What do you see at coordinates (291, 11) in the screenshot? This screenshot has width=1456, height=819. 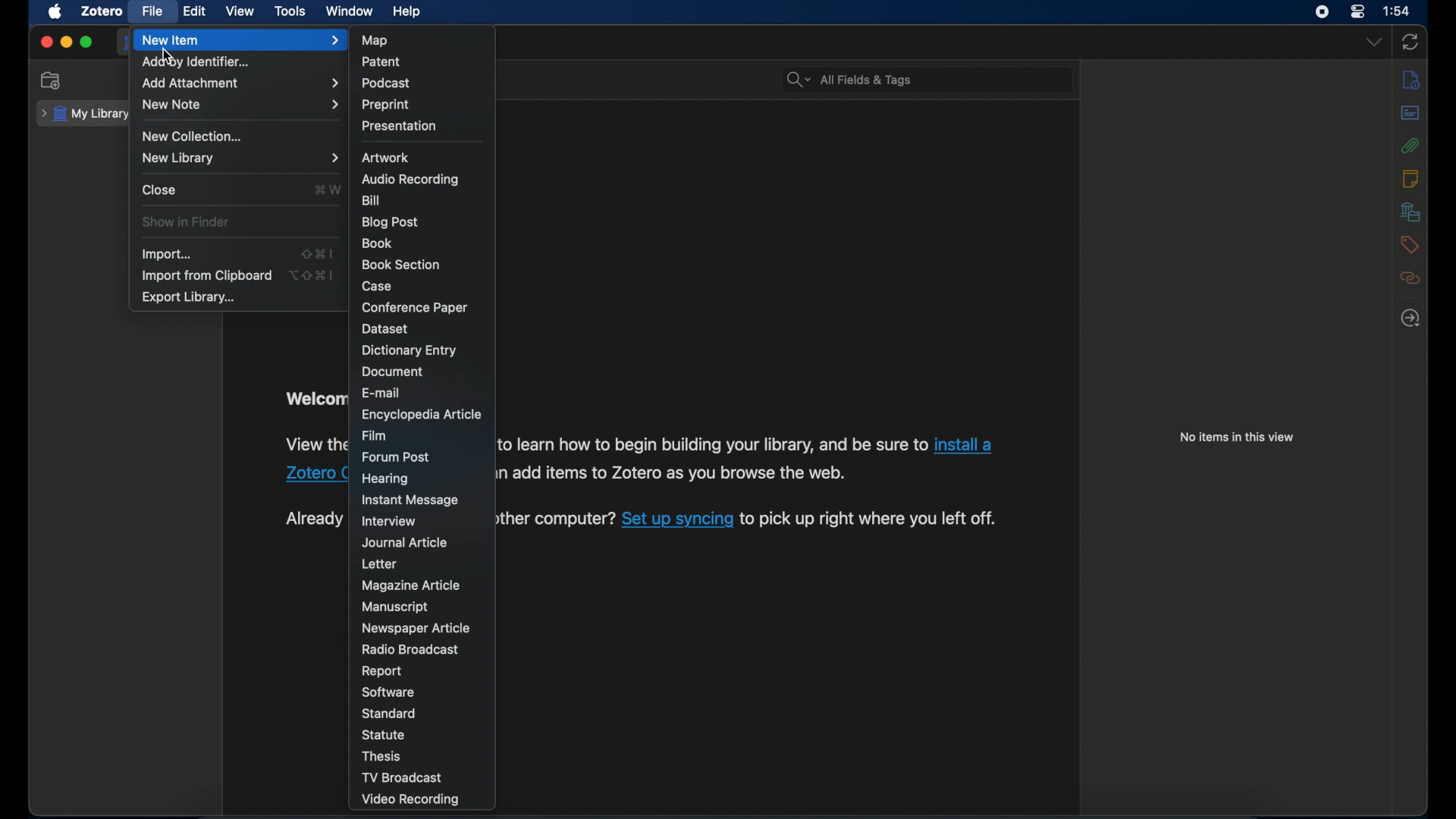 I see `tools` at bounding box center [291, 11].